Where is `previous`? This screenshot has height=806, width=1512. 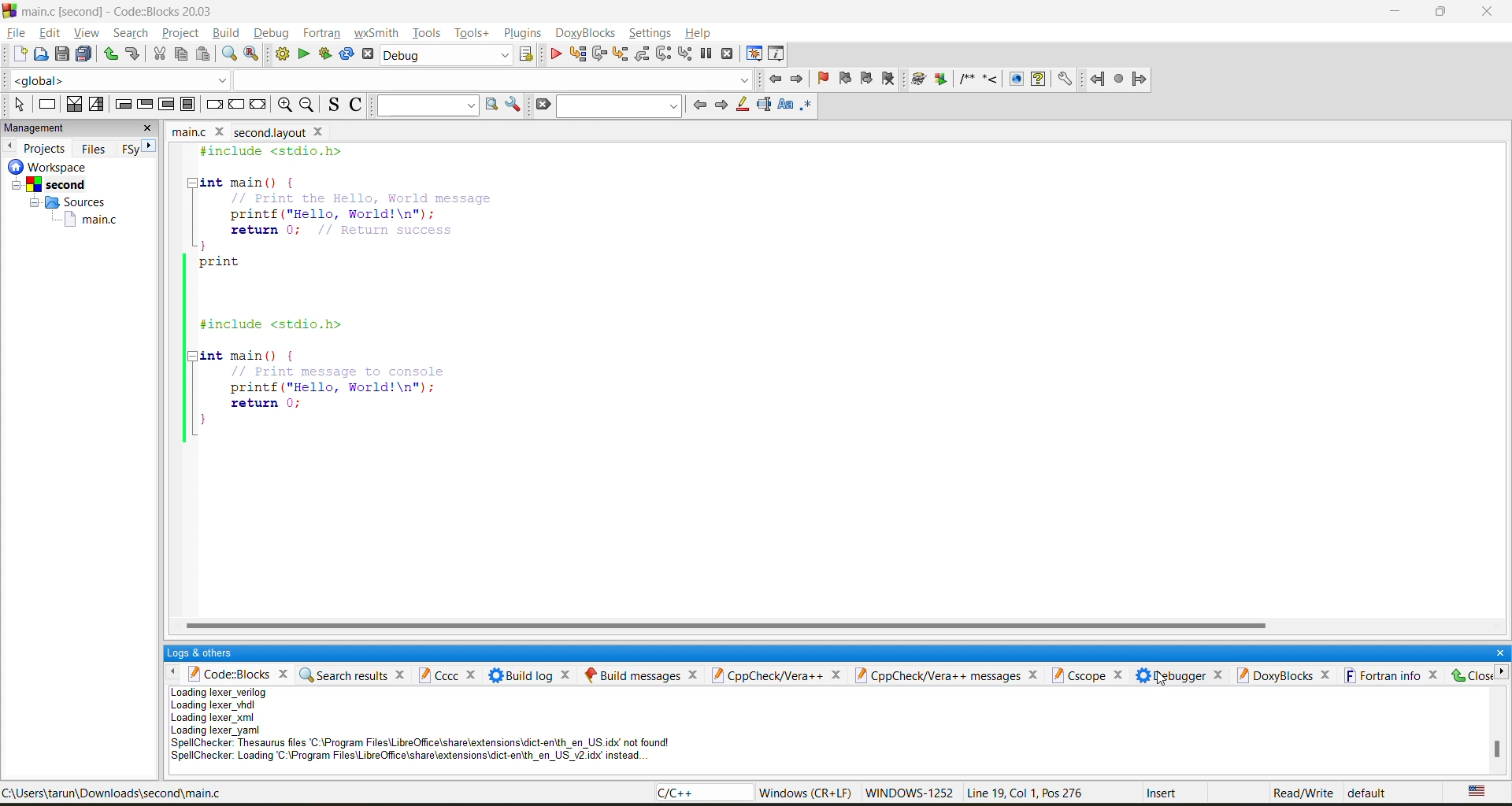
previous is located at coordinates (9, 147).